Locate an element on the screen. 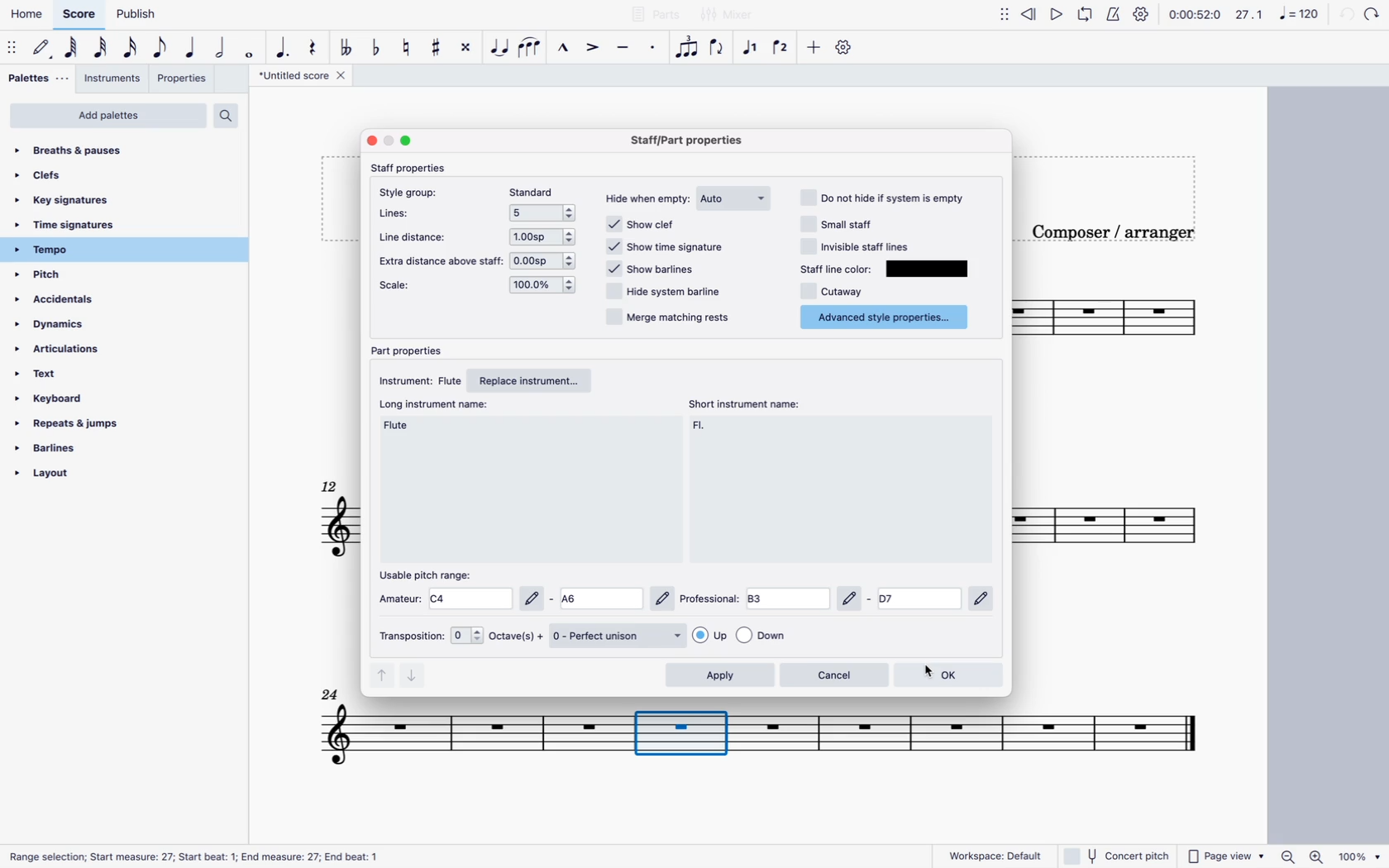 The height and width of the screenshot is (868, 1389). tempo is located at coordinates (105, 251).